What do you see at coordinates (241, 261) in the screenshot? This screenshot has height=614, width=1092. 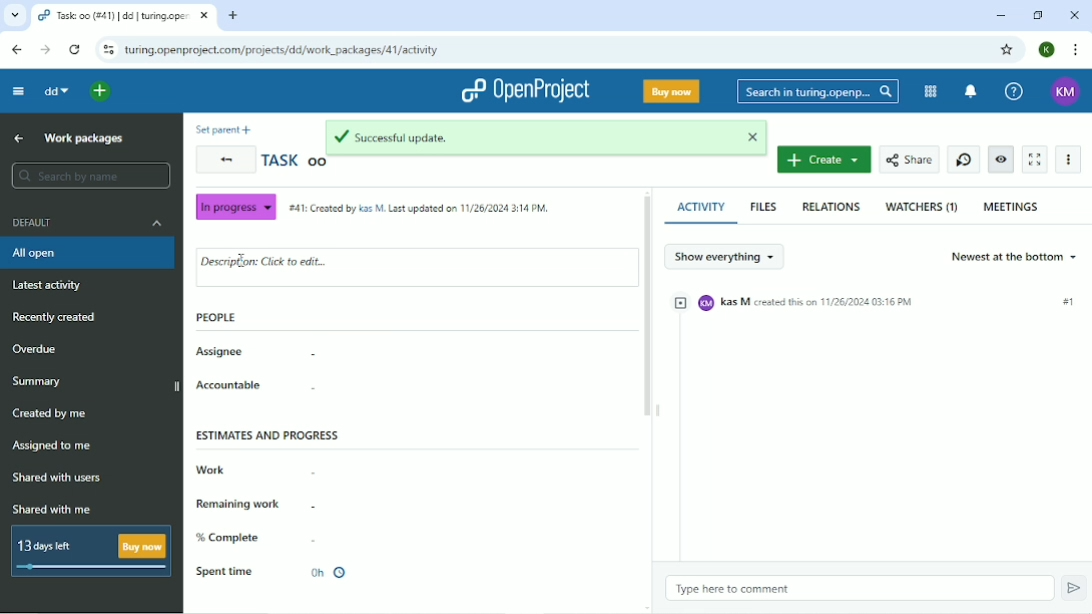 I see `typing cursor` at bounding box center [241, 261].